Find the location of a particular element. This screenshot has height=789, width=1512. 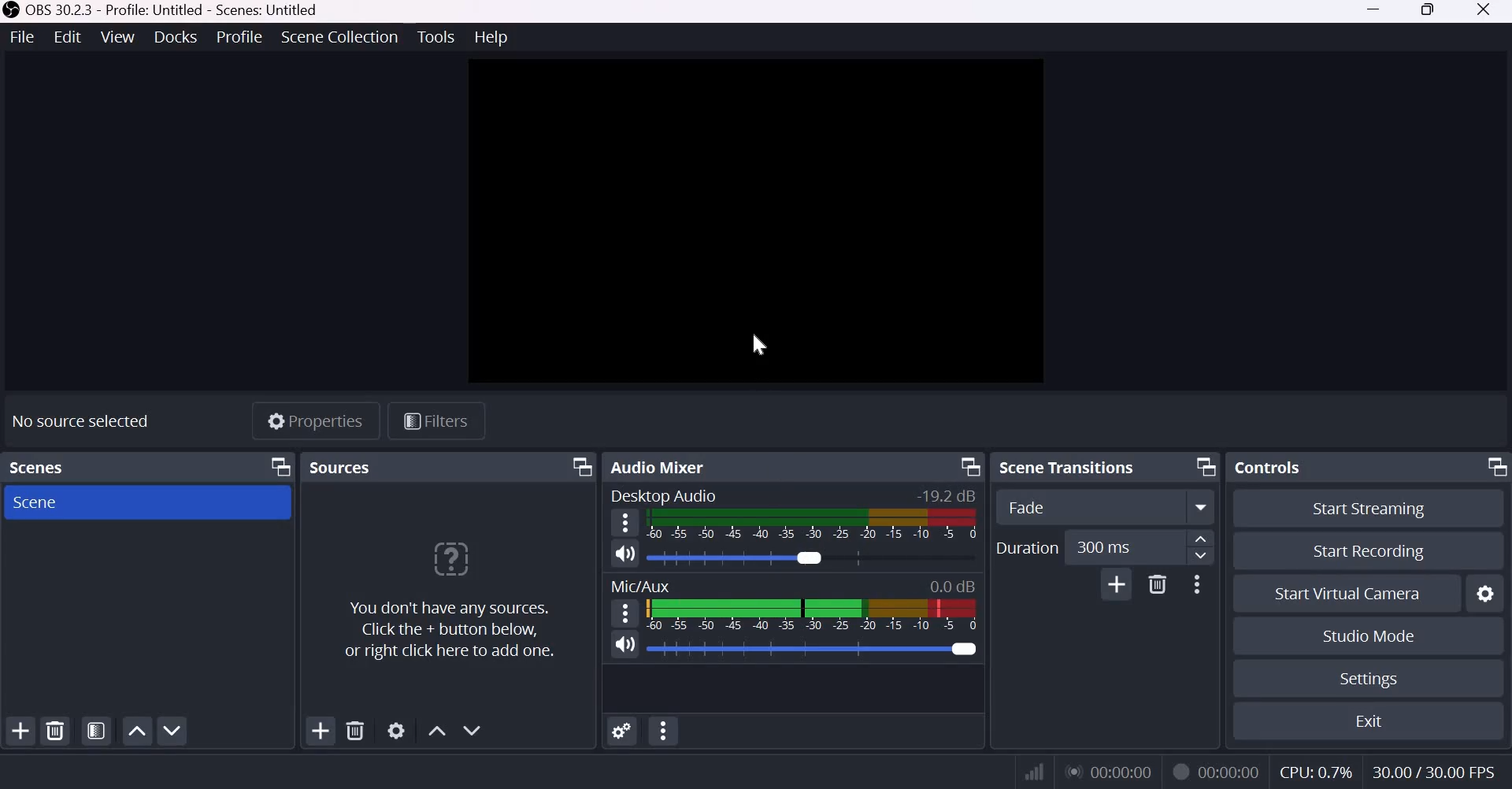

You don't have any sources. Click the + button below, or right click here to add one is located at coordinates (448, 602).